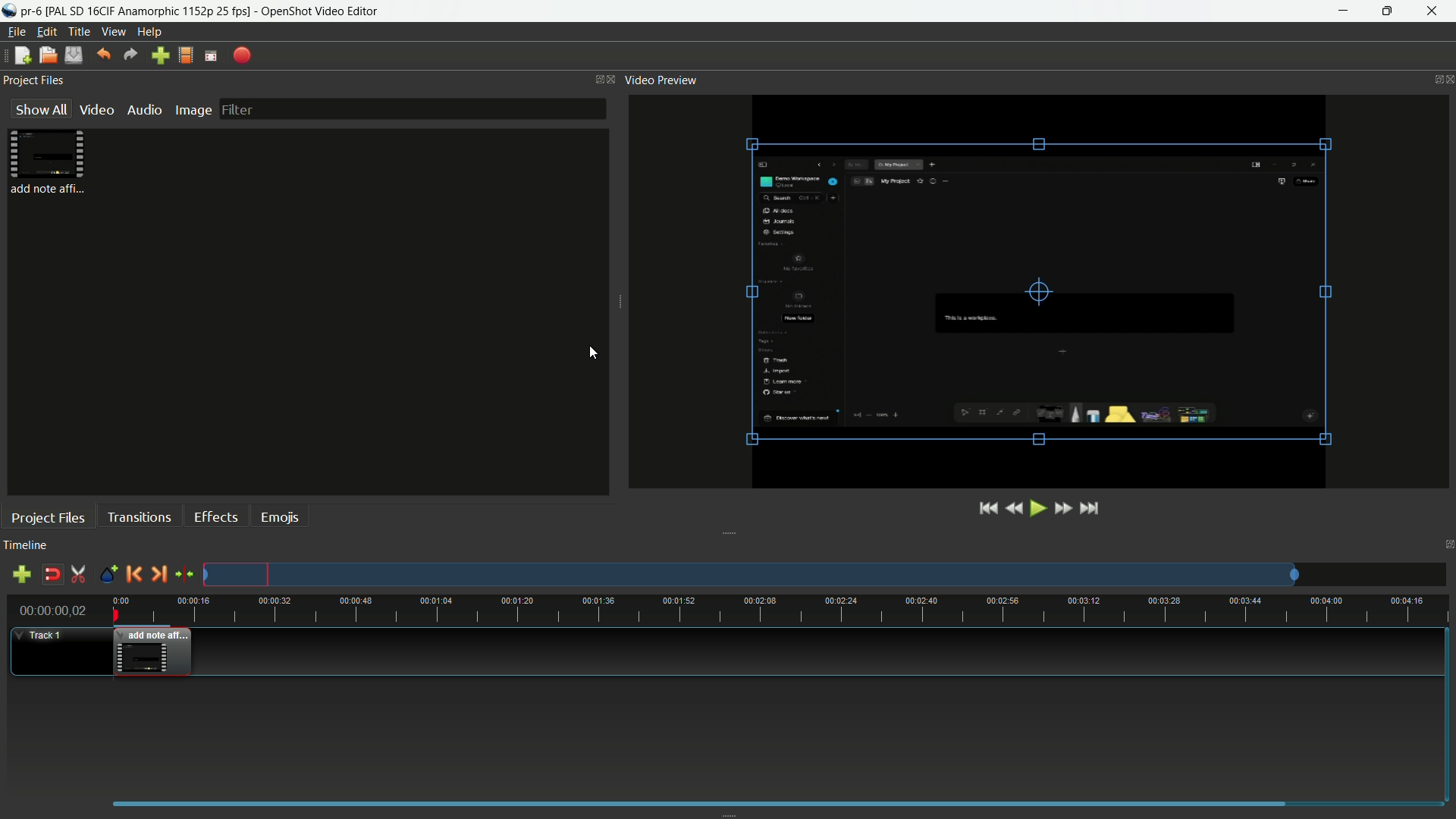  What do you see at coordinates (1345, 11) in the screenshot?
I see `minimize` at bounding box center [1345, 11].